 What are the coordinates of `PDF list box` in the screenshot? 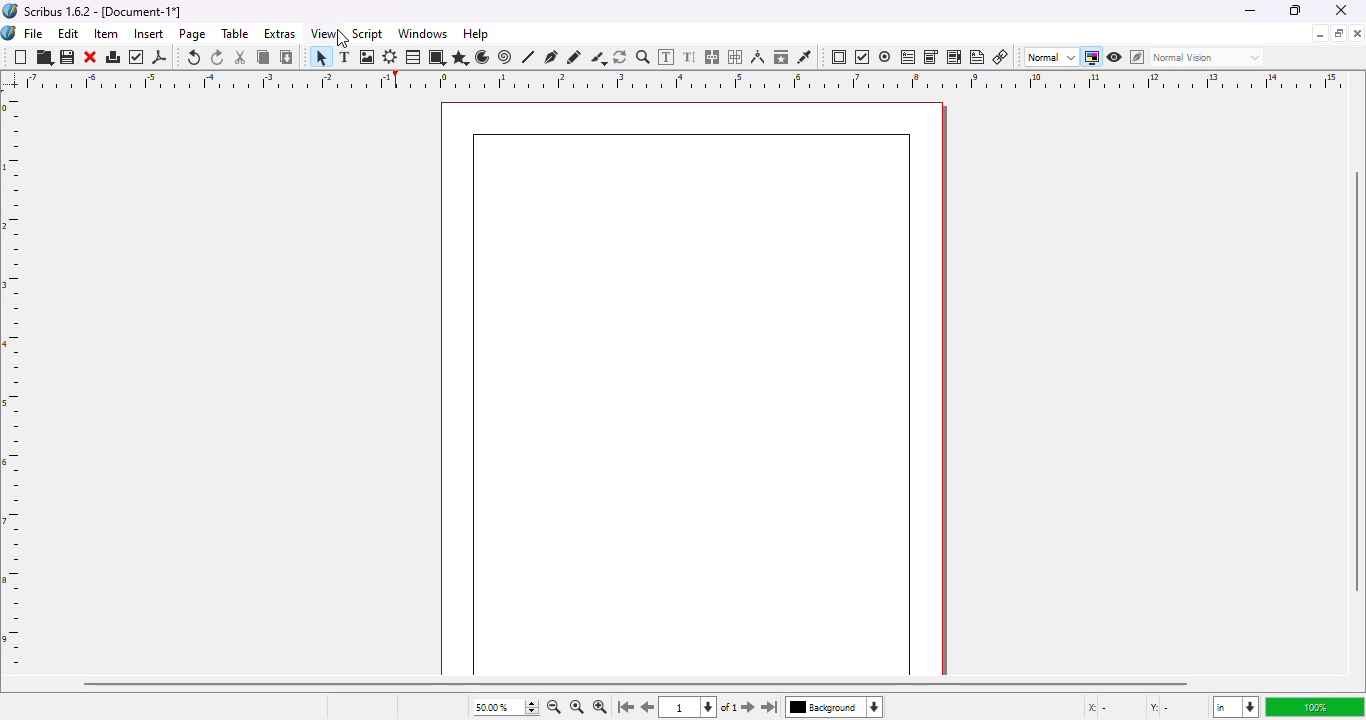 It's located at (954, 57).